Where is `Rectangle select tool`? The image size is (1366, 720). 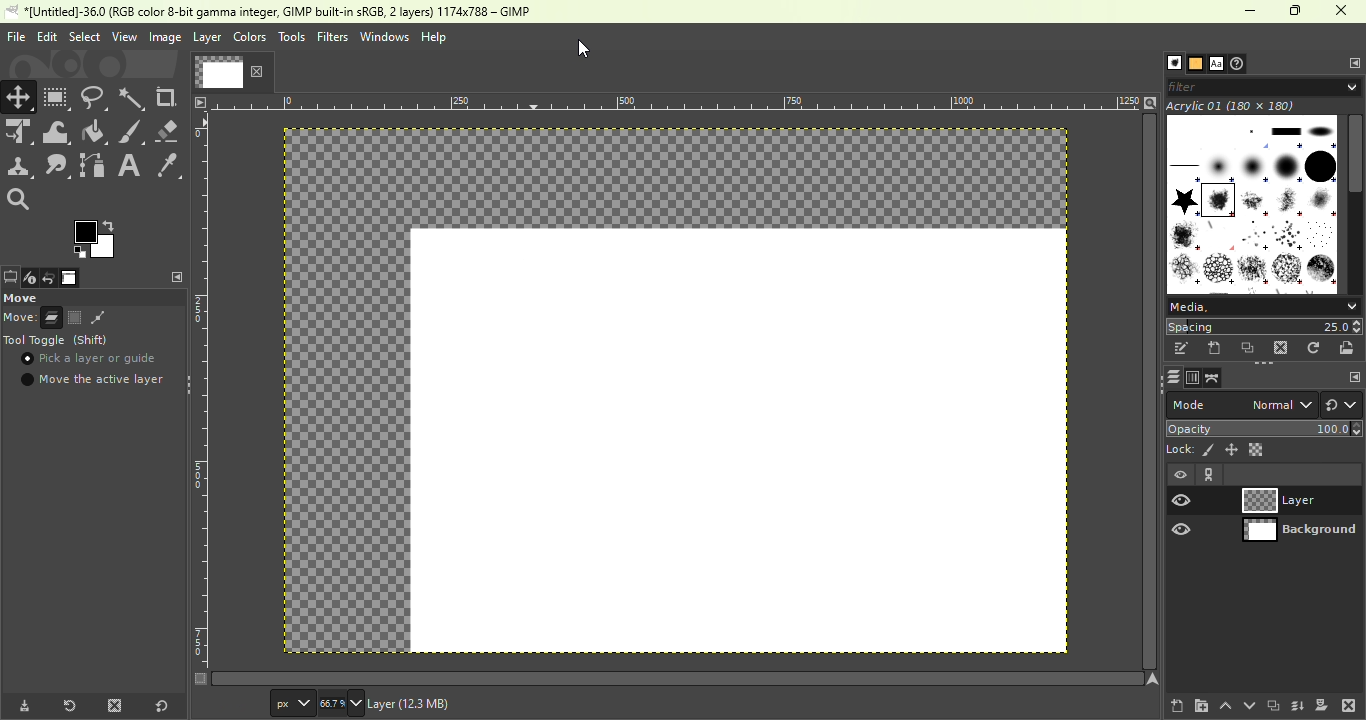 Rectangle select tool is located at coordinates (57, 97).